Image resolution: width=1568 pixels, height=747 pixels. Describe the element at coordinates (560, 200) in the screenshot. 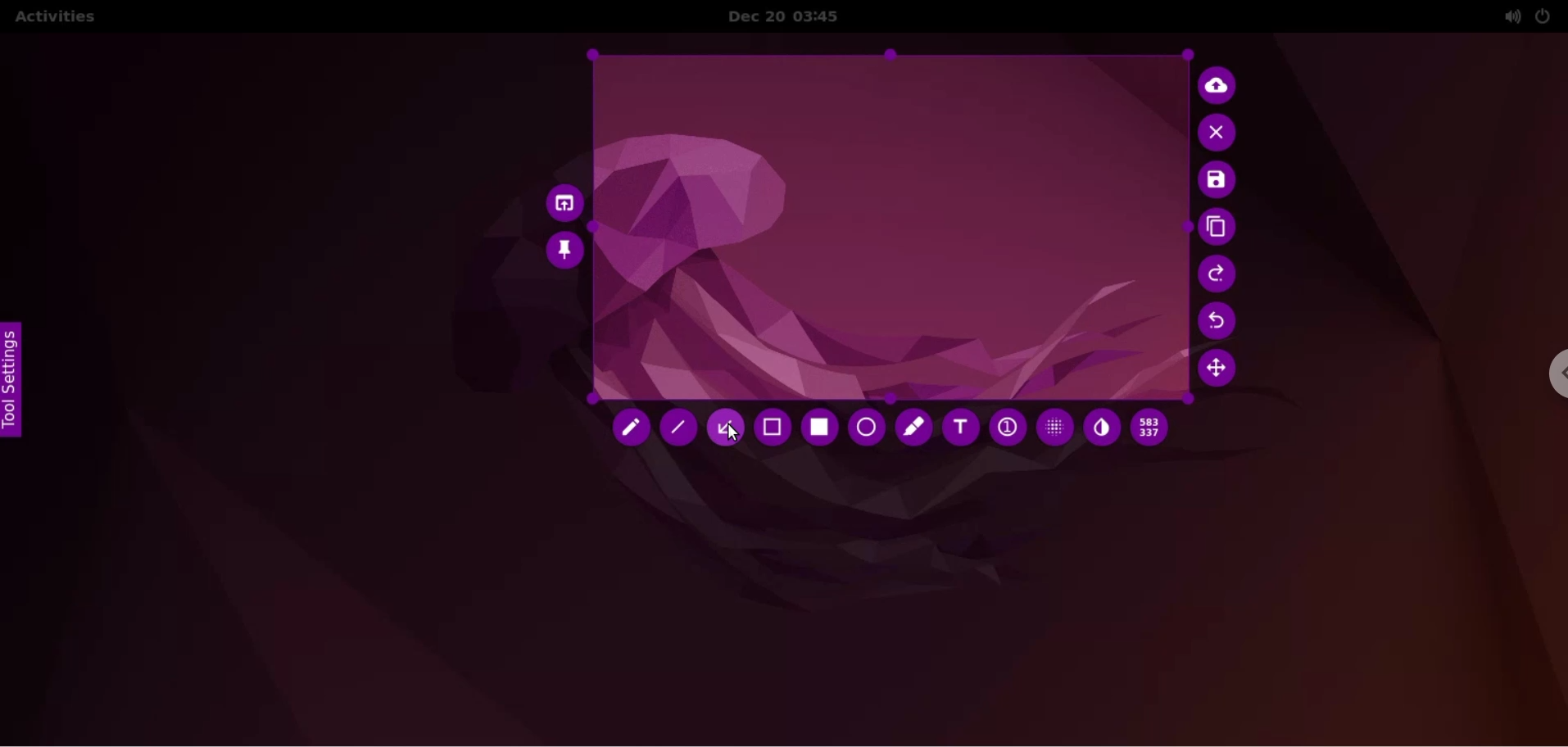

I see `choose app to open screenshot` at that location.